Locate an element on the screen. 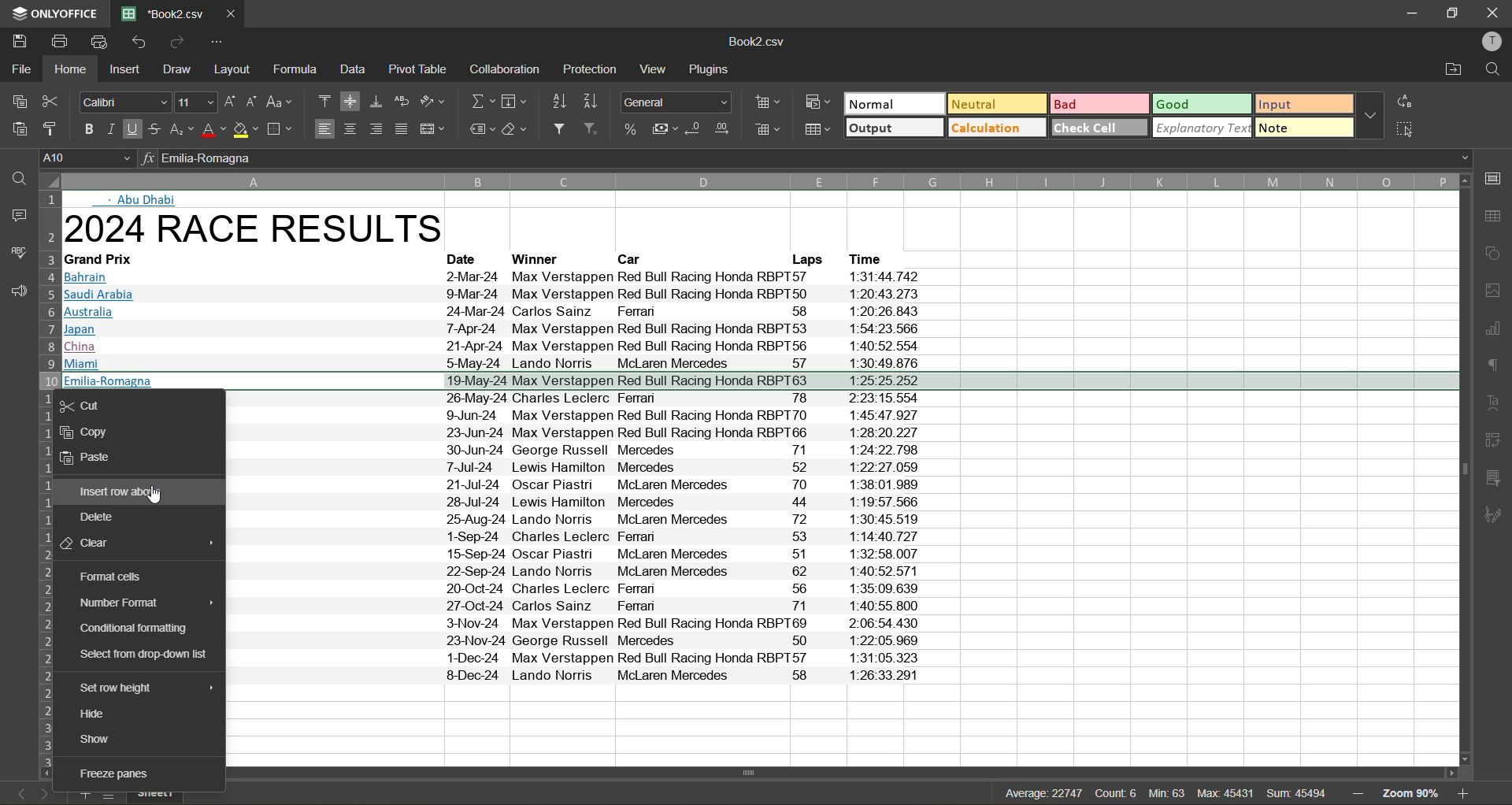 This screenshot has width=1512, height=805. Abu Dhabi is located at coordinates (146, 201).